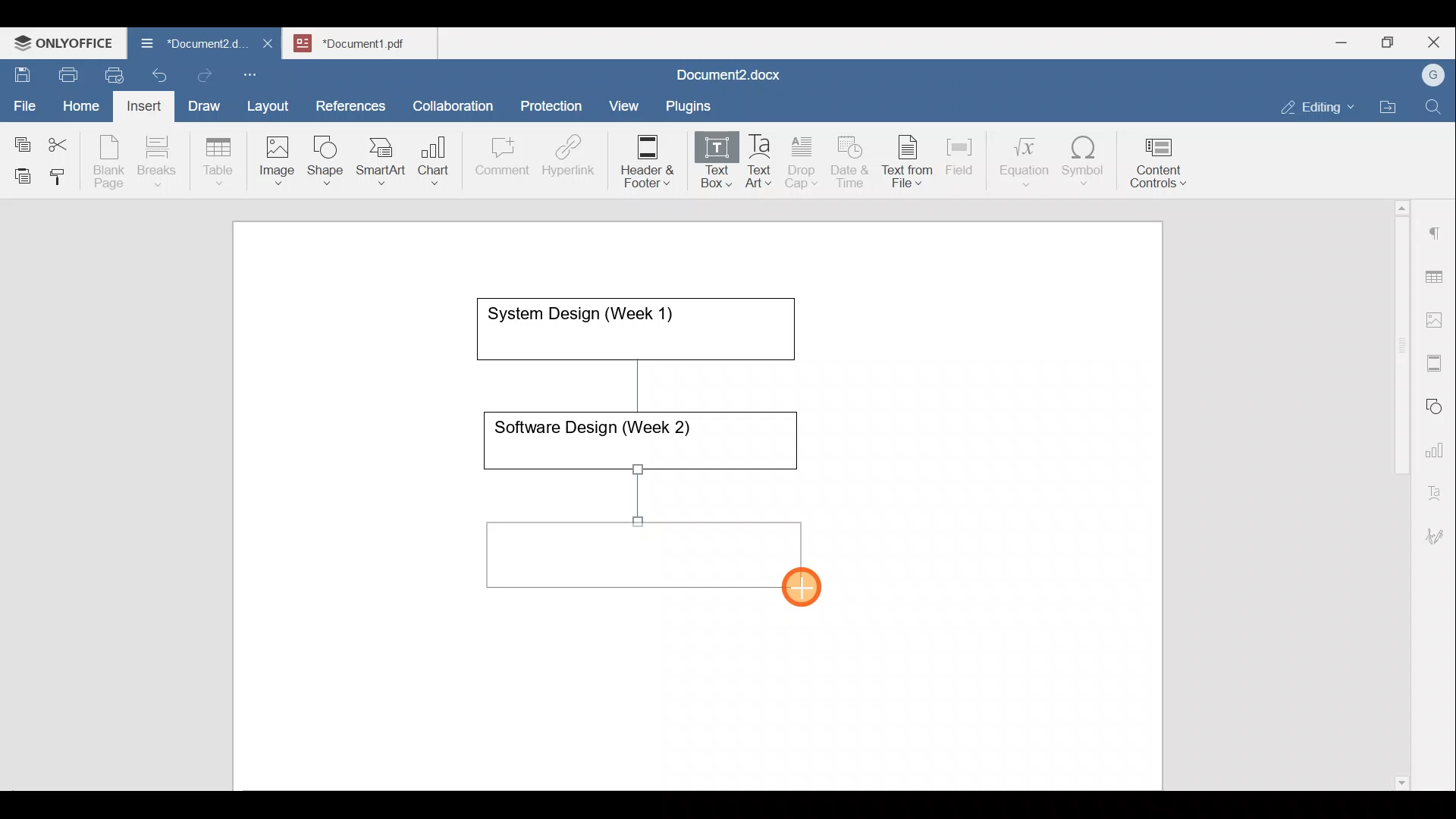 The width and height of the screenshot is (1456, 819). What do you see at coordinates (1436, 487) in the screenshot?
I see `Text Art settings` at bounding box center [1436, 487].